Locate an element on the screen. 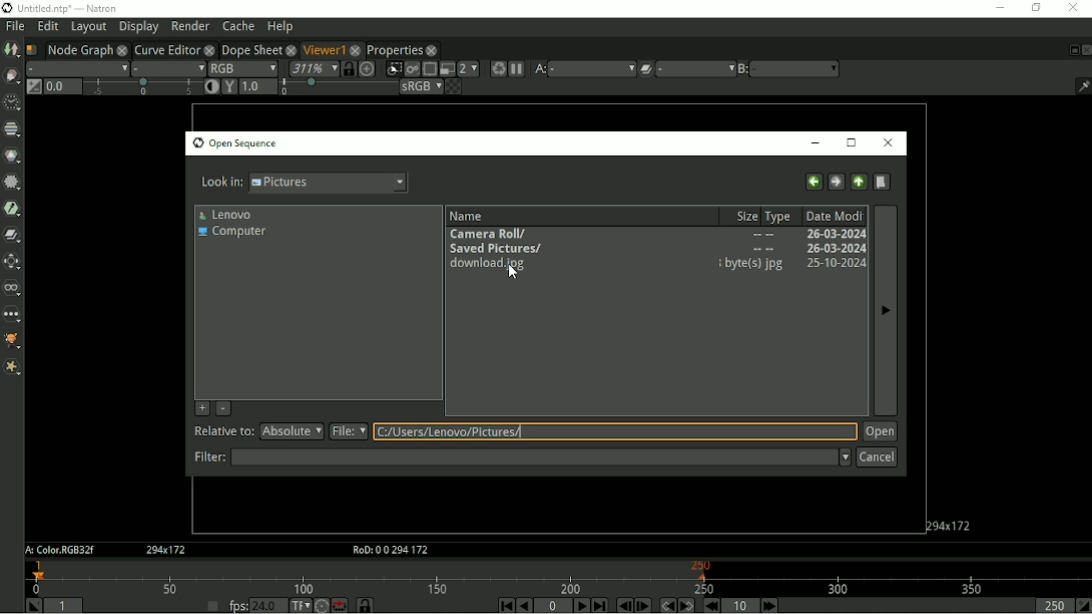 The width and height of the screenshot is (1092, 614). RoD is located at coordinates (387, 550).